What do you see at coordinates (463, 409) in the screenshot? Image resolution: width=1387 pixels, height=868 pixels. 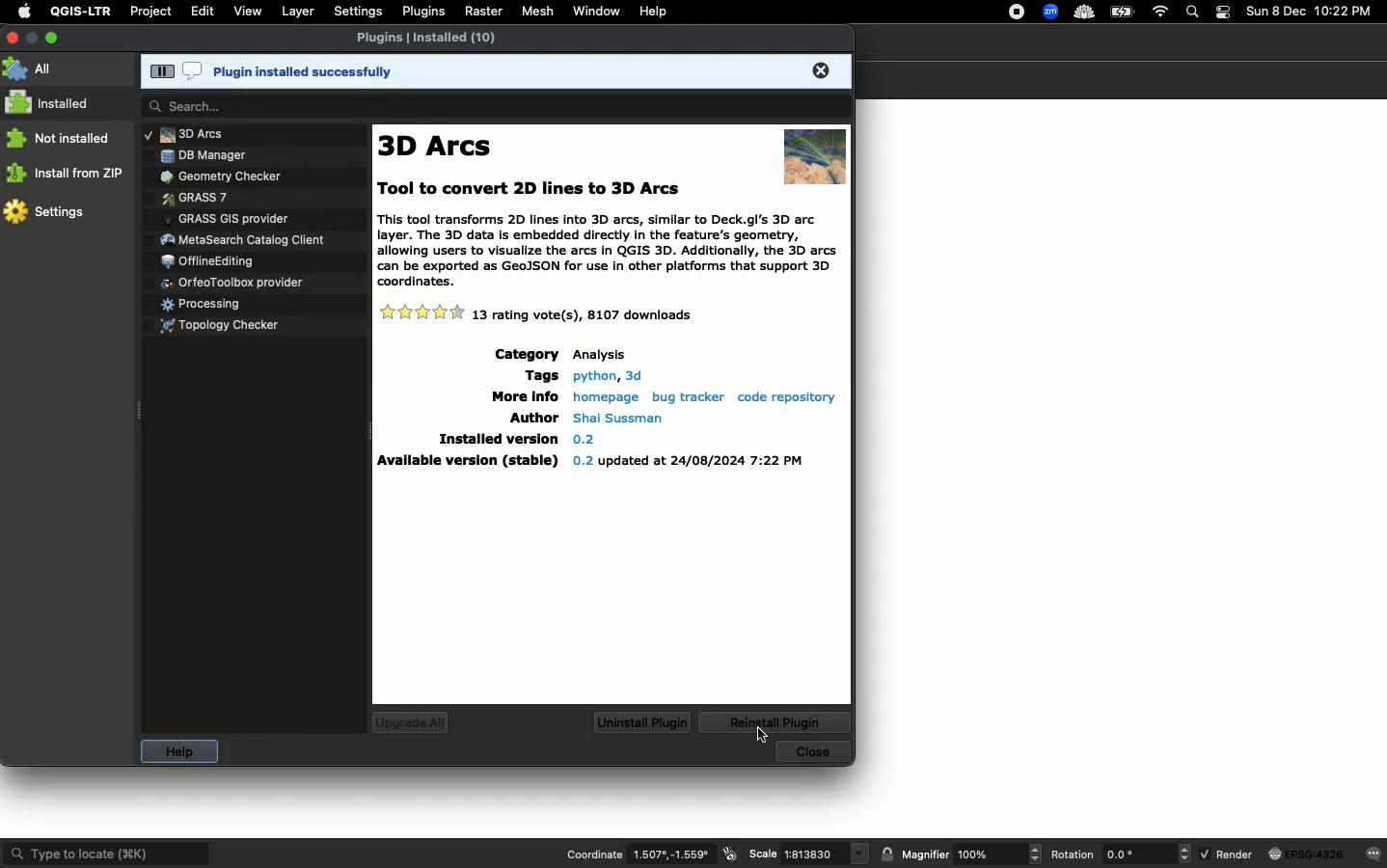 I see `Tags

More info

Author

Available version (stable)` at bounding box center [463, 409].